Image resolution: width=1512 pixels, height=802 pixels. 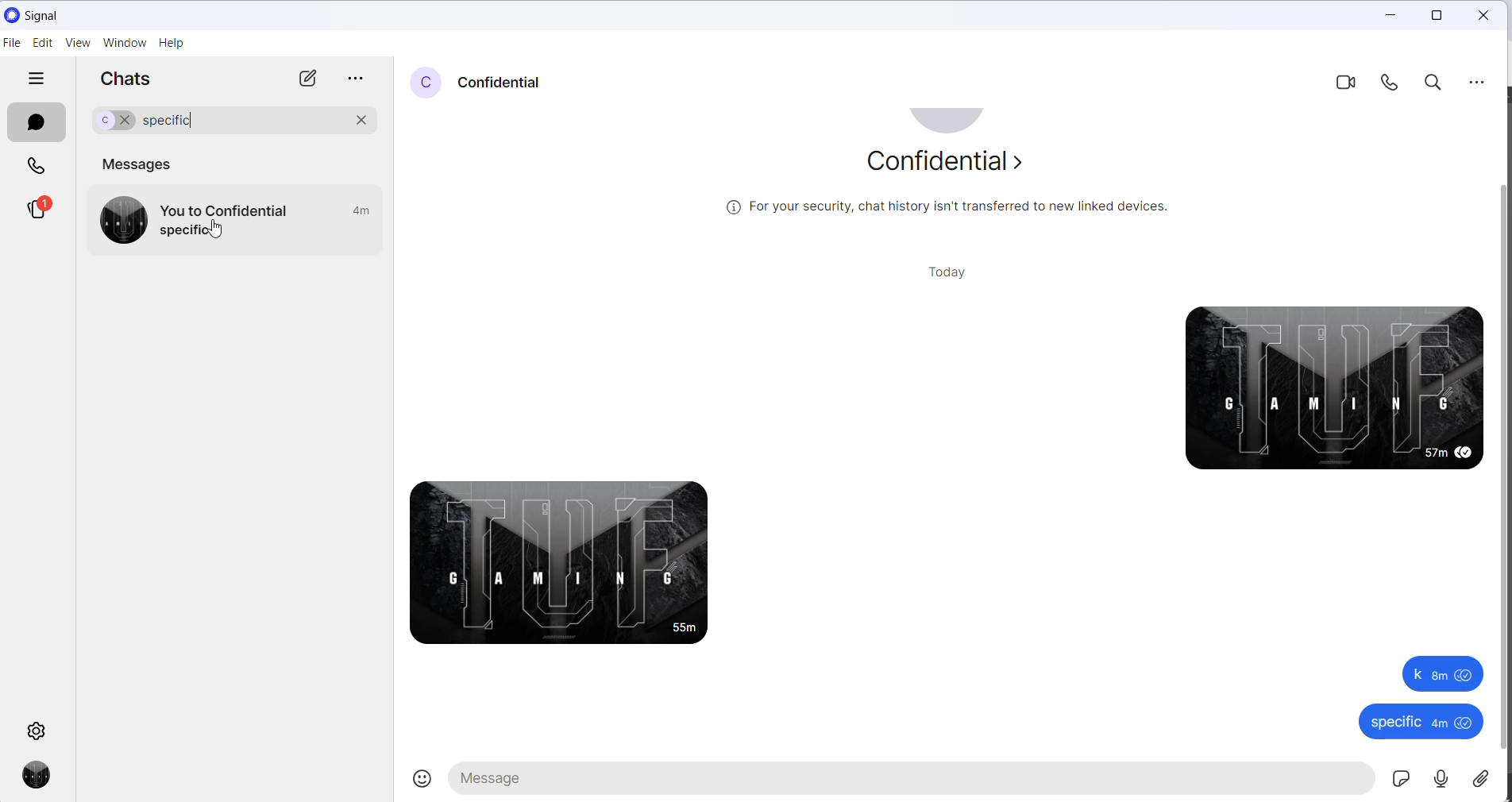 I want to click on today heading, so click(x=949, y=271).